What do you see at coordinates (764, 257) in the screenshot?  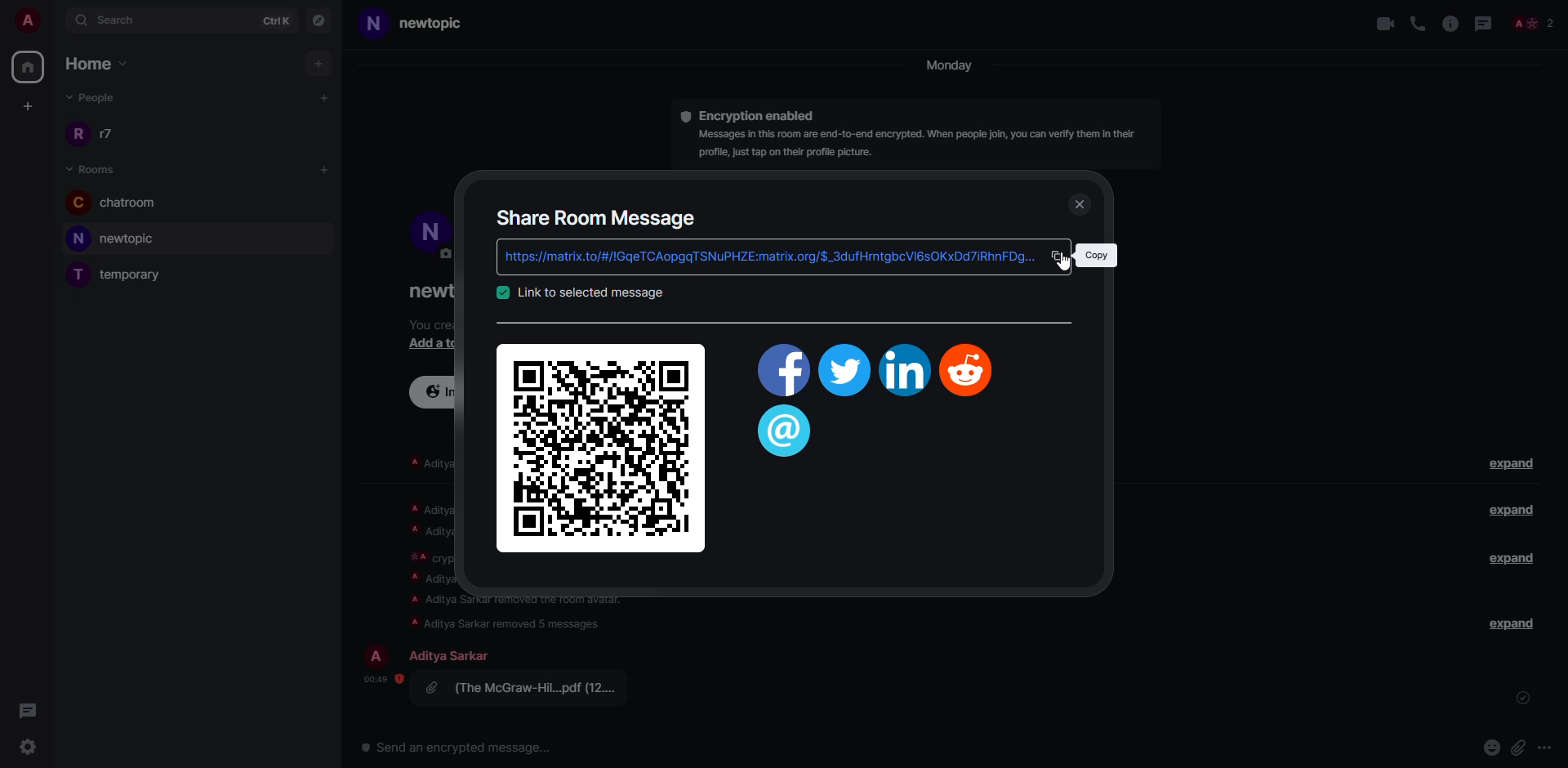 I see `https://matrix.to/#/1GqeTCAOPgqTSNUPHZE:matrix.org/$_3dufHmtgbcVIBSOKXDA7IRhNFDG...` at bounding box center [764, 257].